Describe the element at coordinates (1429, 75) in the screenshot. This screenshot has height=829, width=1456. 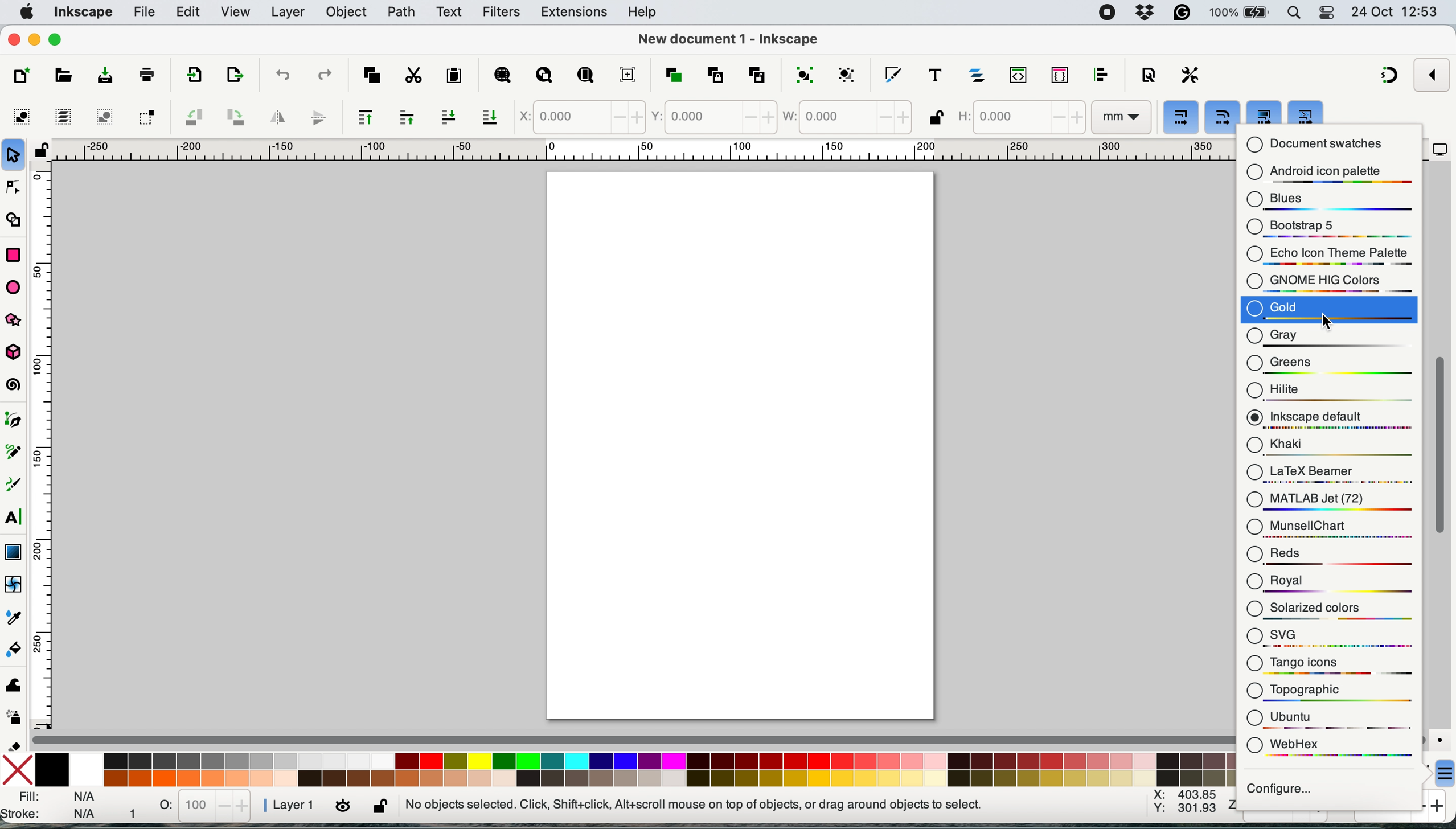
I see `enable snapping` at that location.